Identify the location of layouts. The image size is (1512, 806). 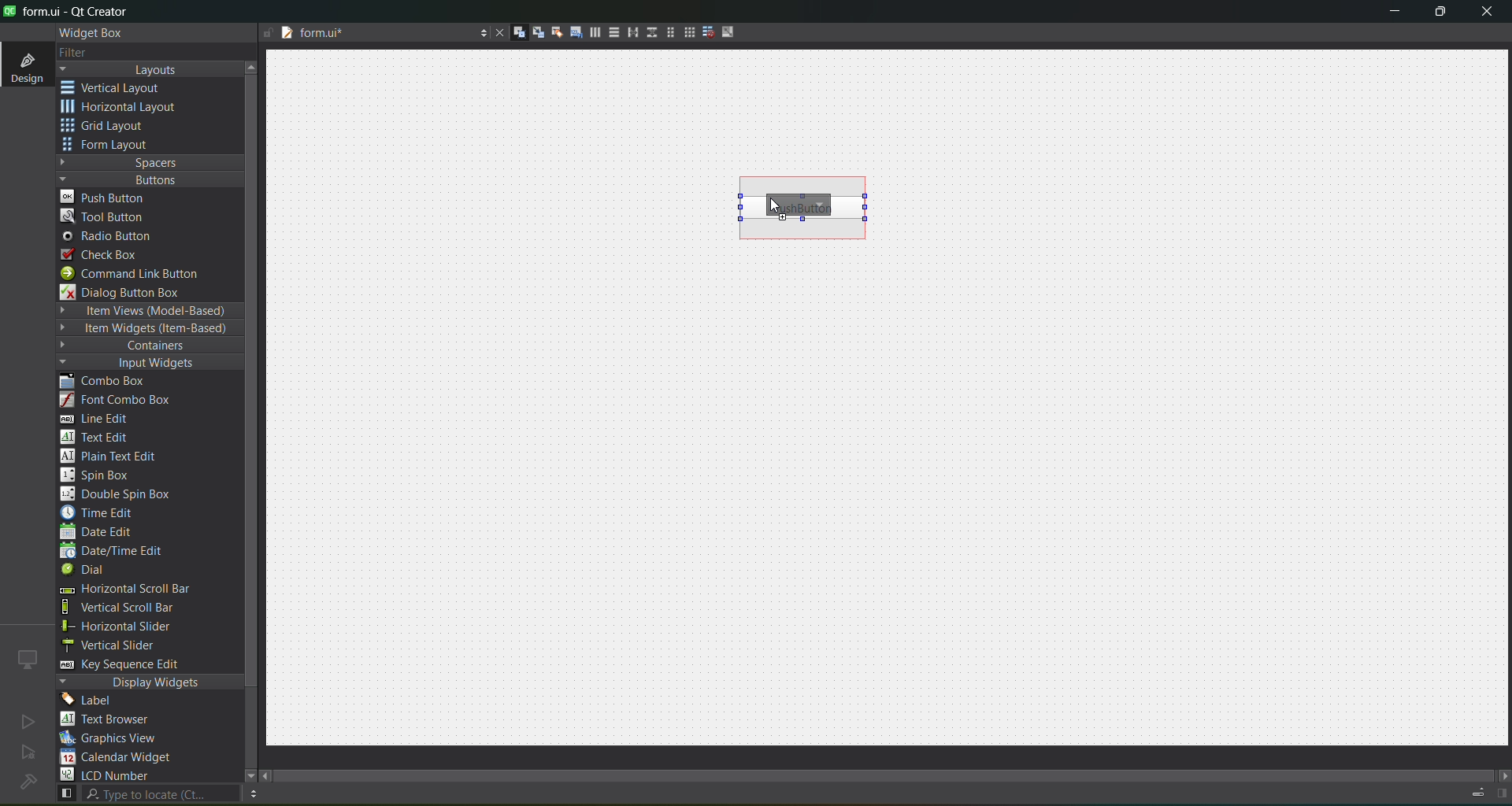
(150, 69).